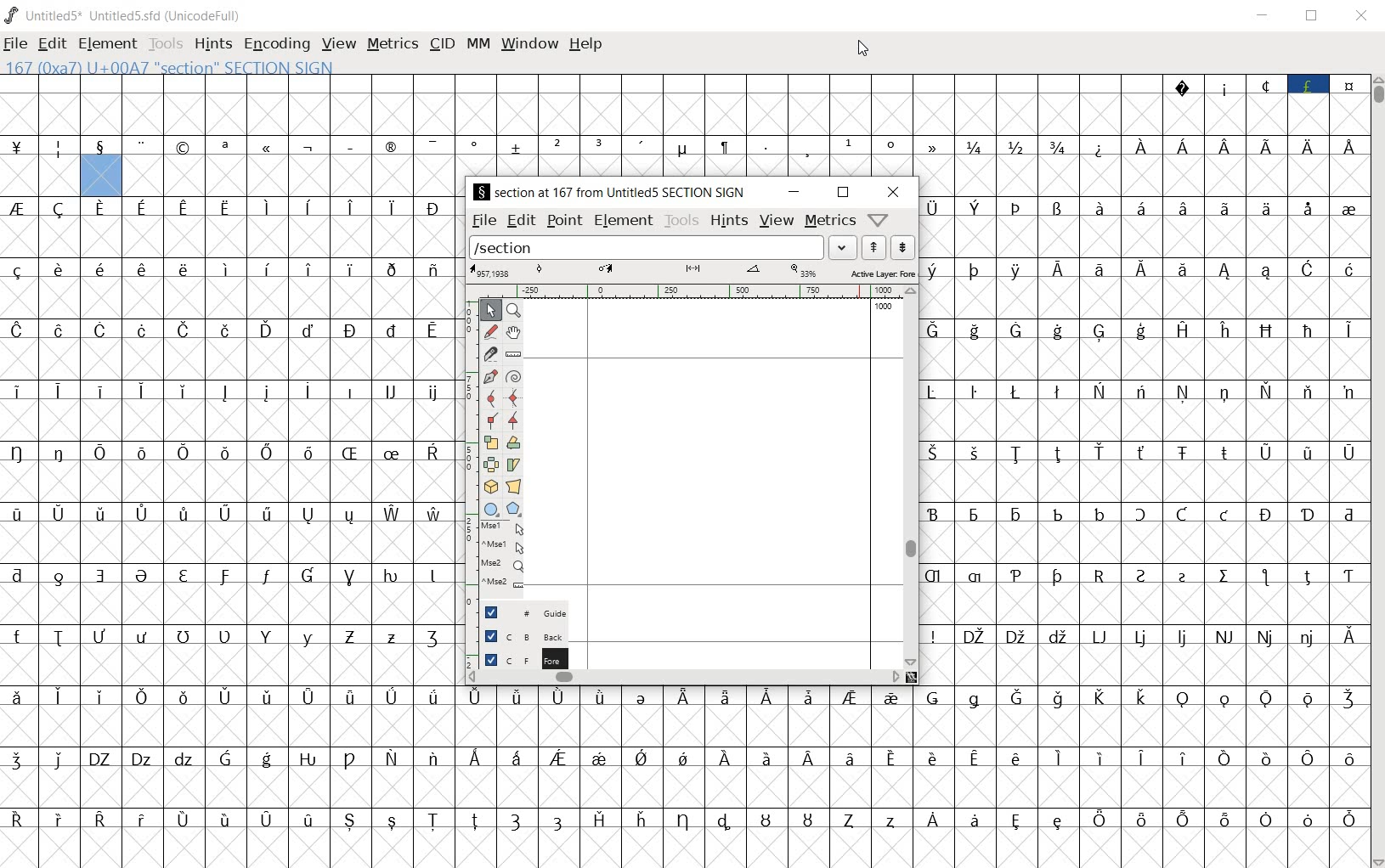 Image resolution: width=1385 pixels, height=868 pixels. I want to click on MINIMIZE, so click(1265, 15).